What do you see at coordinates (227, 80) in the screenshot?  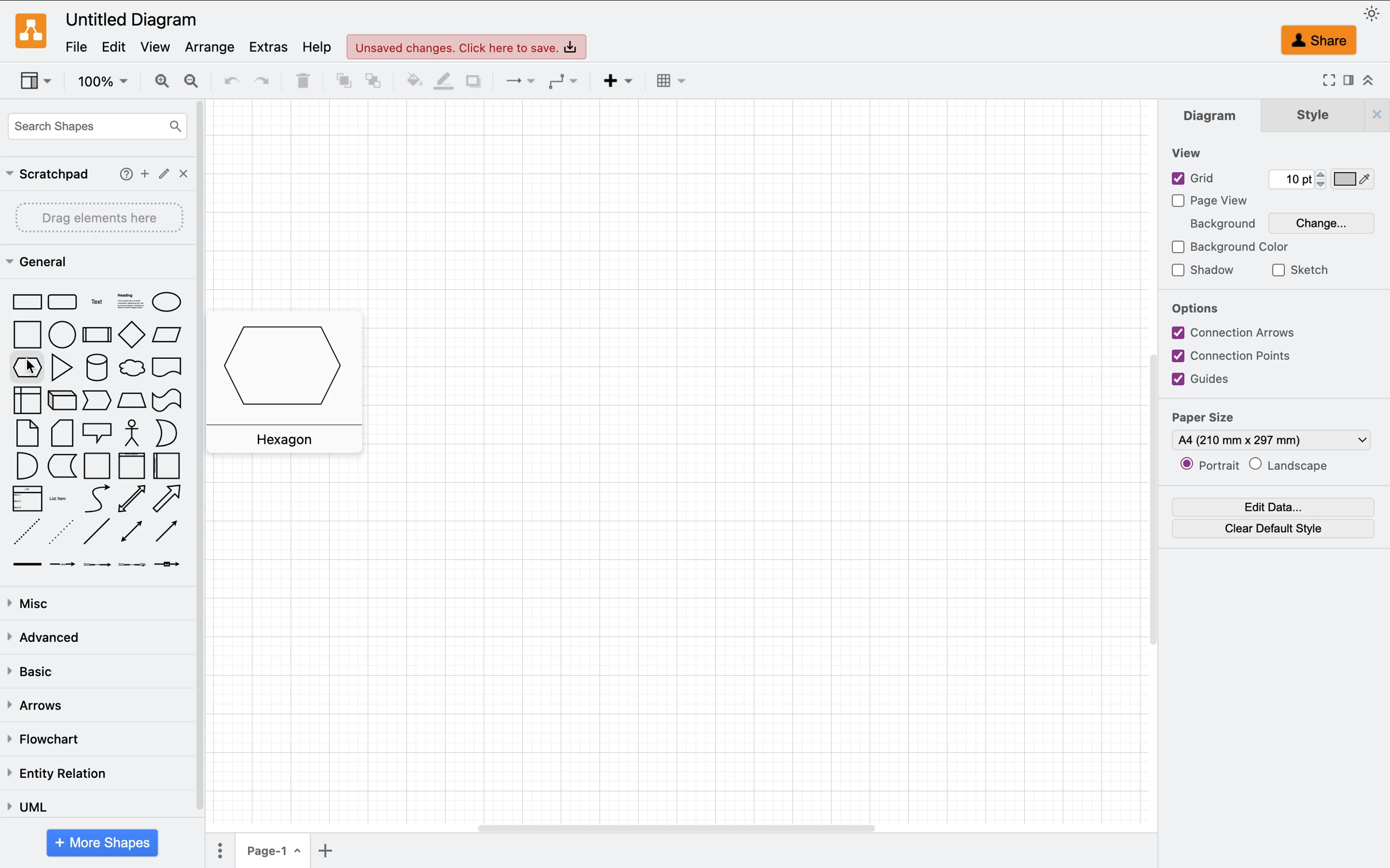 I see `undi` at bounding box center [227, 80].